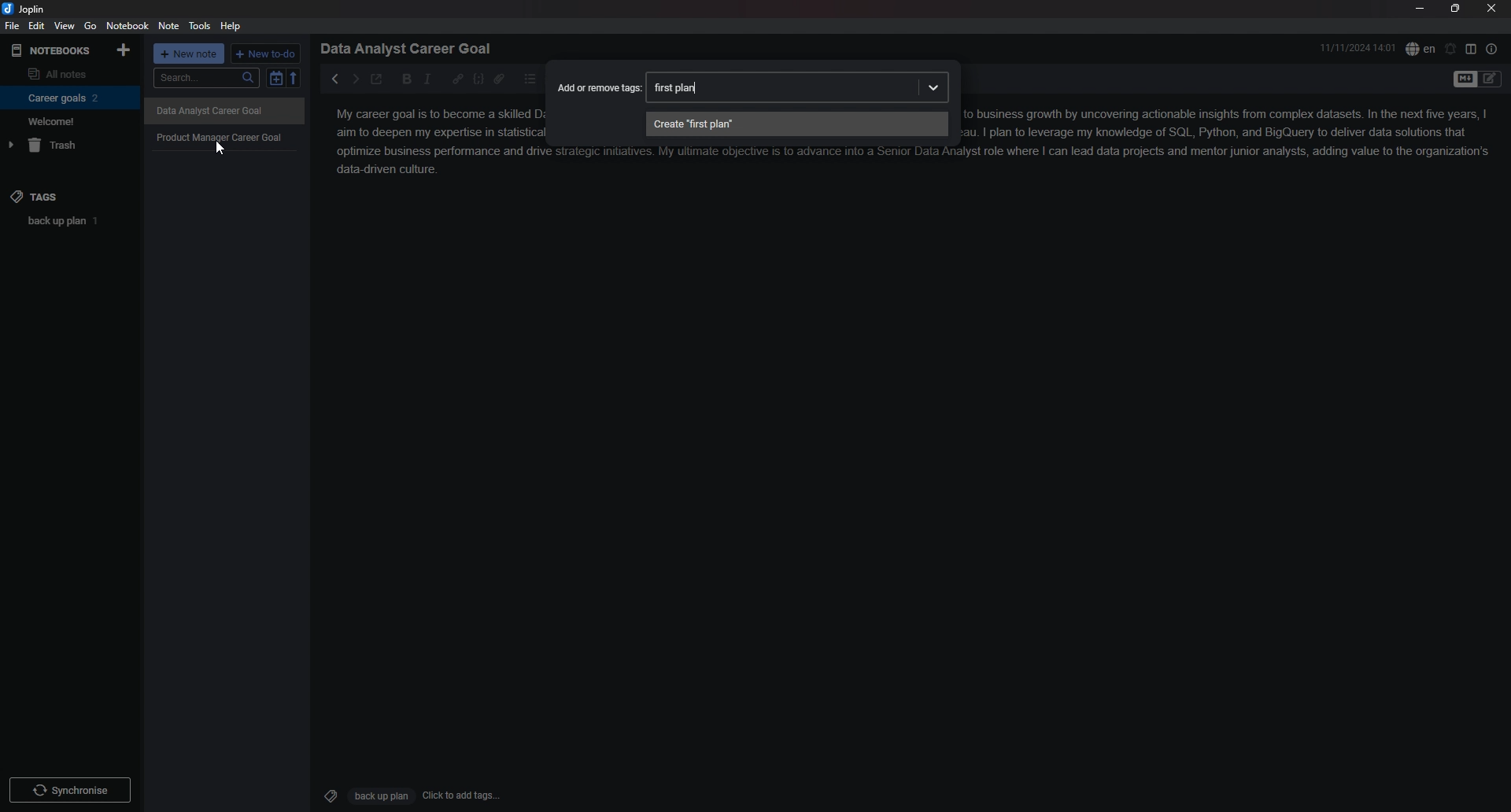 The height and width of the screenshot is (812, 1511). What do you see at coordinates (71, 789) in the screenshot?
I see `Synchronize` at bounding box center [71, 789].